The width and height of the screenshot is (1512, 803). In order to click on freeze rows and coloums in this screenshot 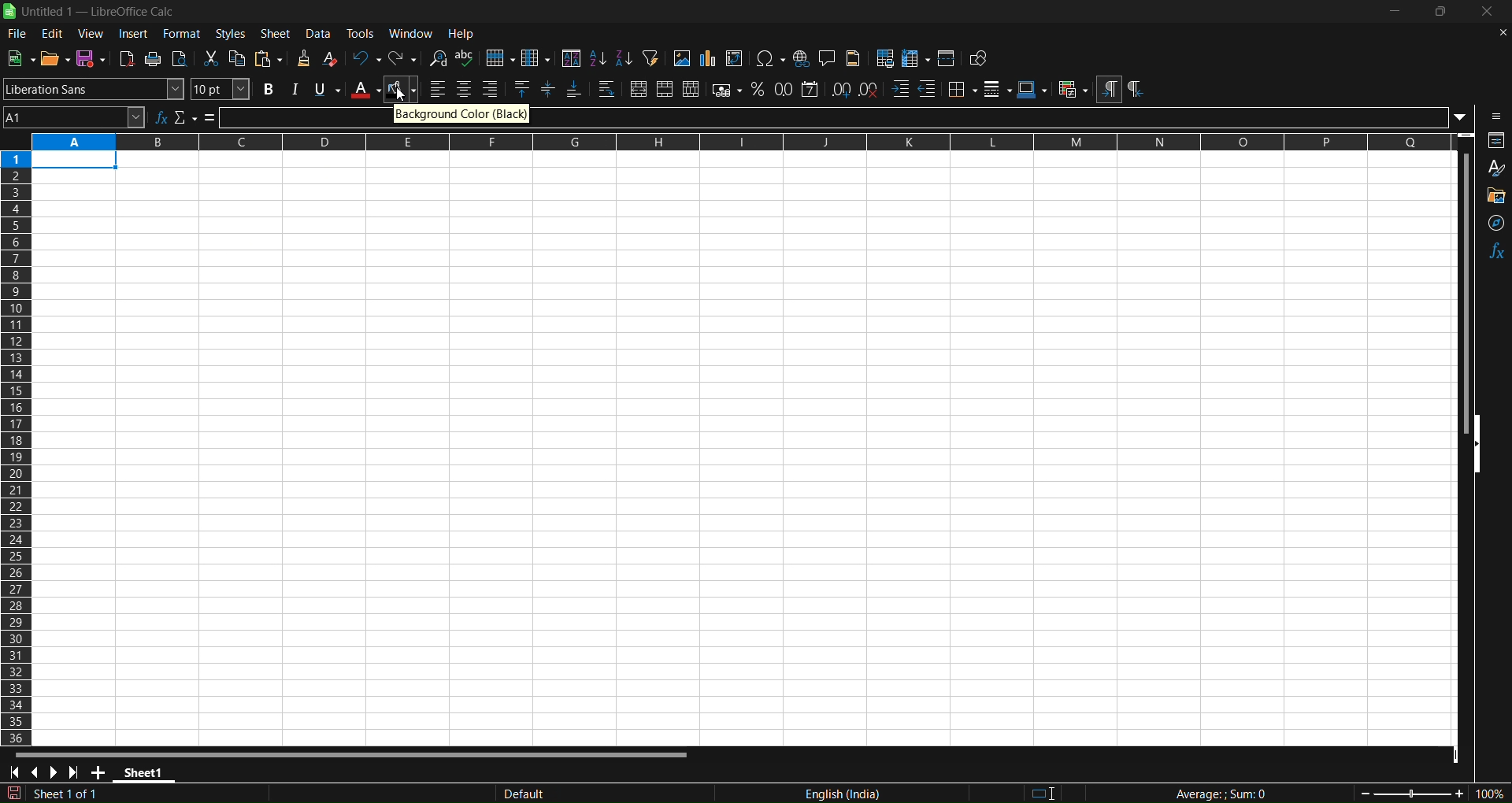, I will do `click(916, 58)`.